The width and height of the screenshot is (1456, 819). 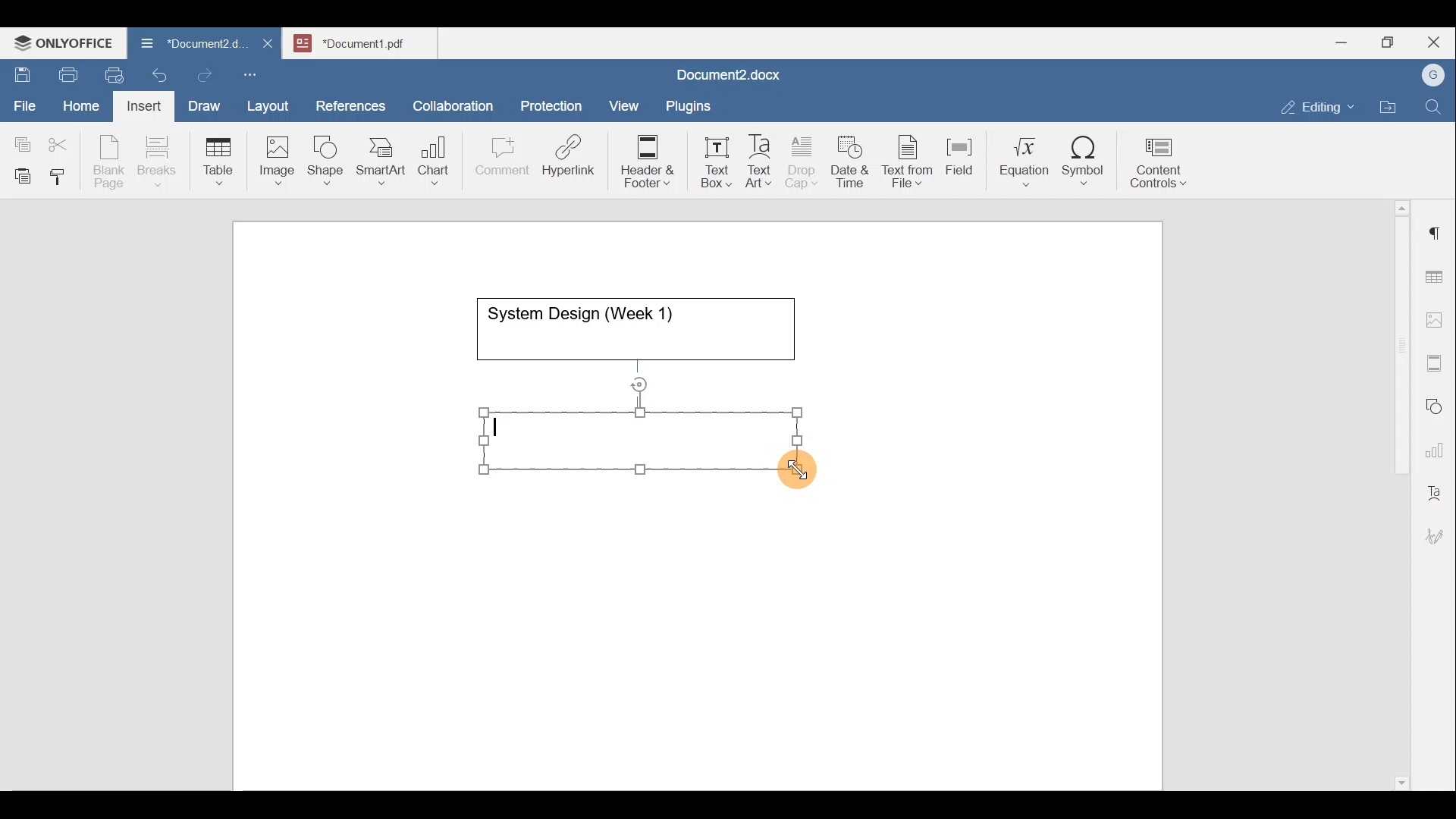 What do you see at coordinates (693, 104) in the screenshot?
I see `Plugins` at bounding box center [693, 104].